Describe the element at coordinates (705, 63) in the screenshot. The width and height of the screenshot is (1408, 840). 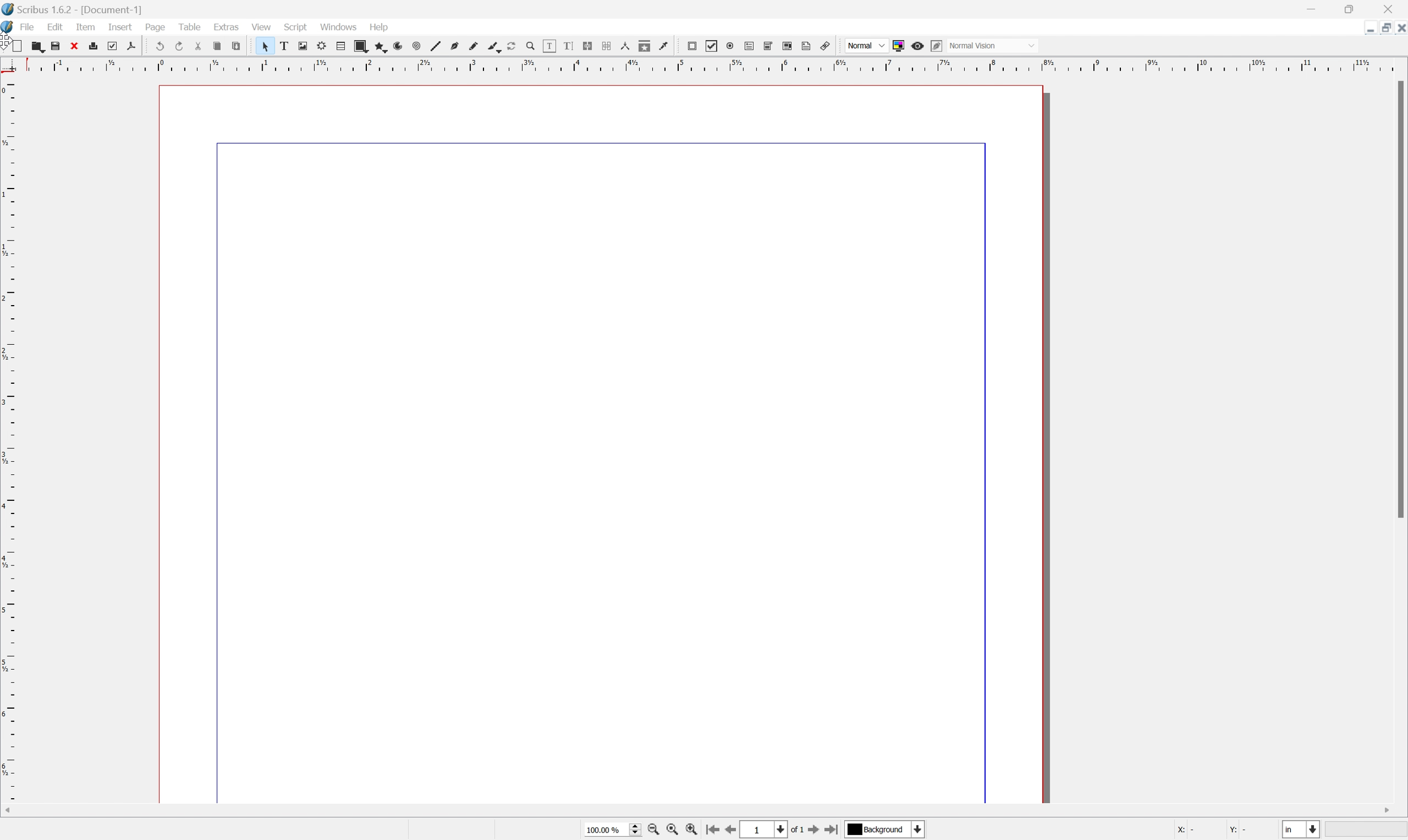
I see `ruler` at that location.